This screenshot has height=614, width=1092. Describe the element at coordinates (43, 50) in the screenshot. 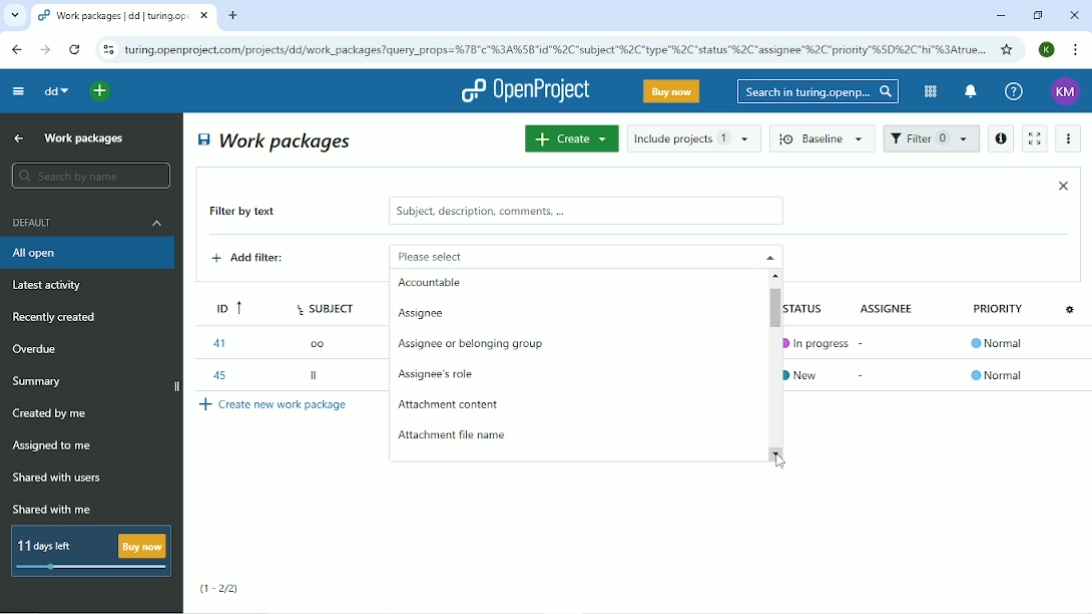

I see `Forward` at that location.